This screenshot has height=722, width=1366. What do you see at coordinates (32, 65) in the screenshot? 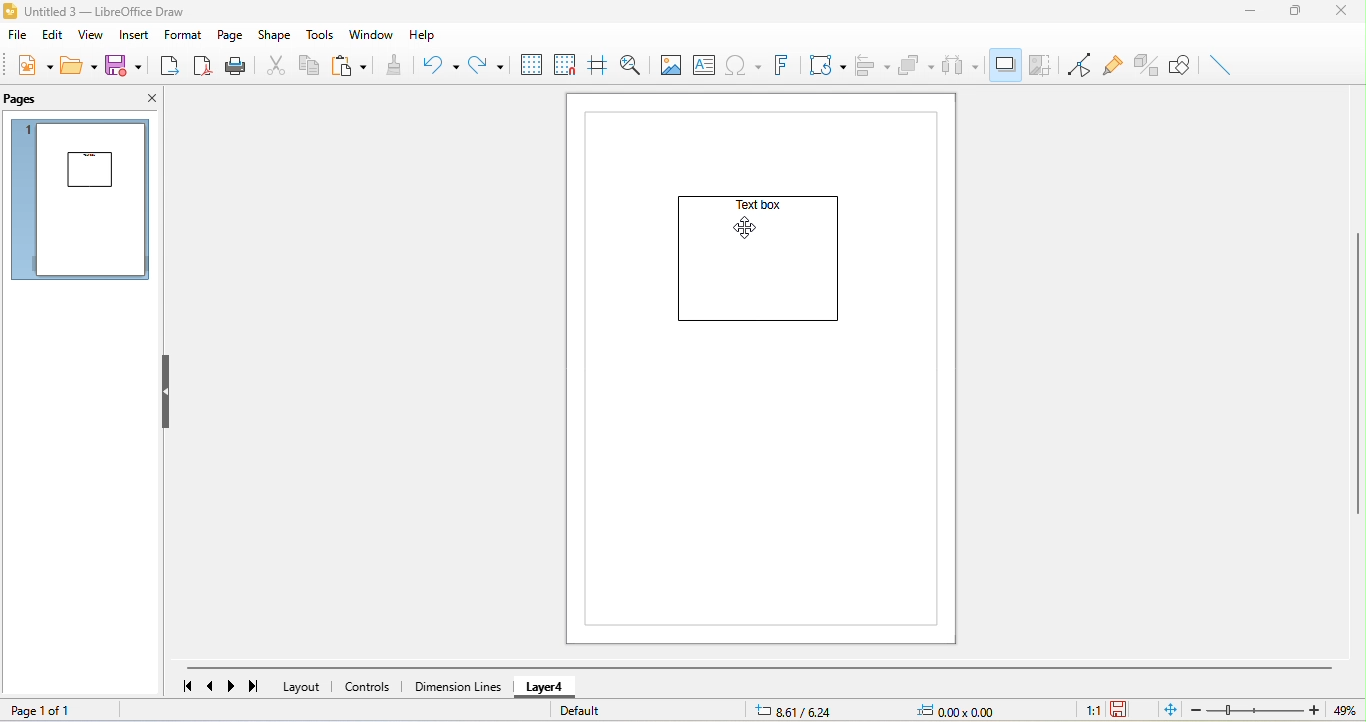
I see `new` at bounding box center [32, 65].